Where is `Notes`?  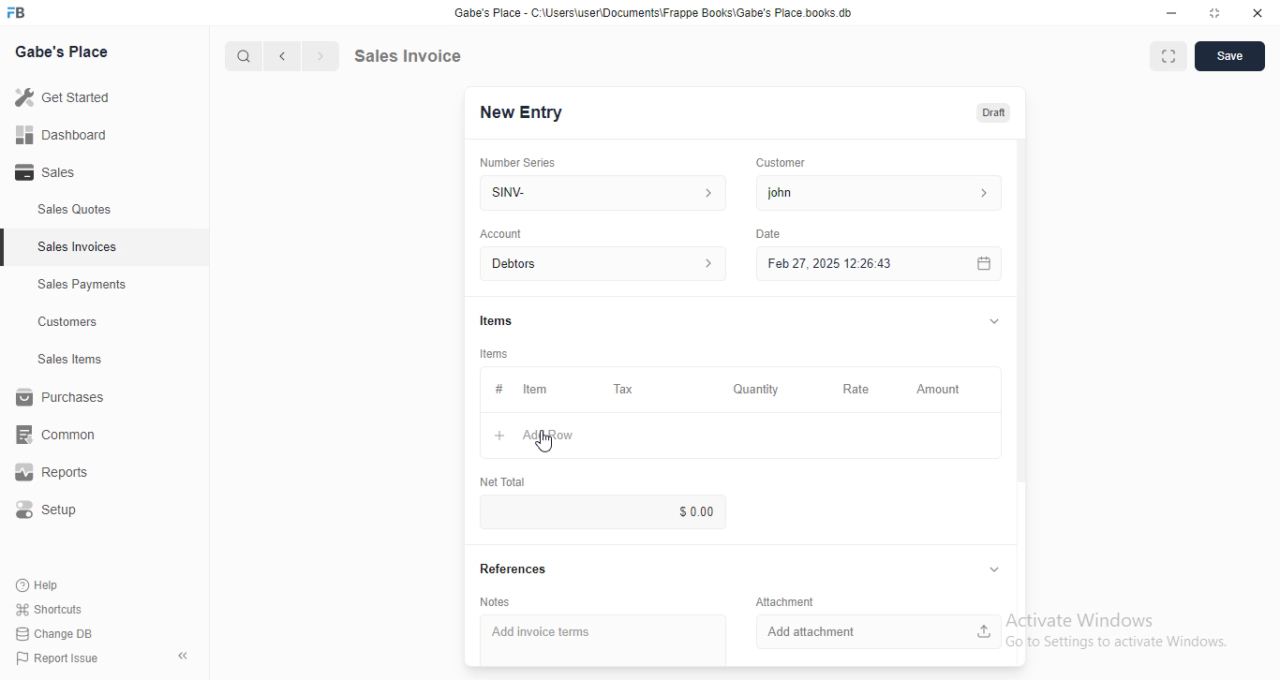 Notes is located at coordinates (496, 600).